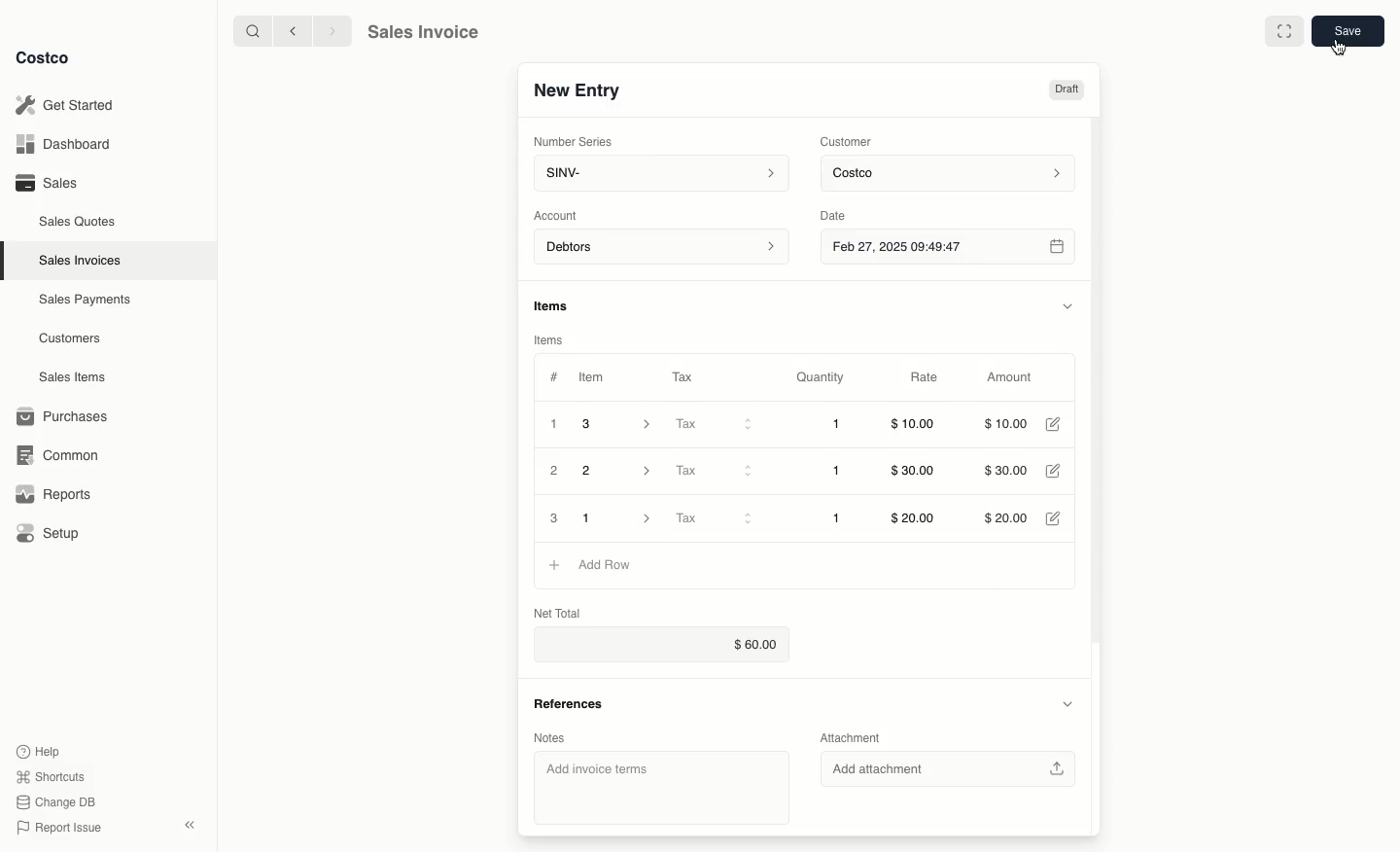 This screenshot has height=852, width=1400. What do you see at coordinates (45, 182) in the screenshot?
I see `Sales` at bounding box center [45, 182].